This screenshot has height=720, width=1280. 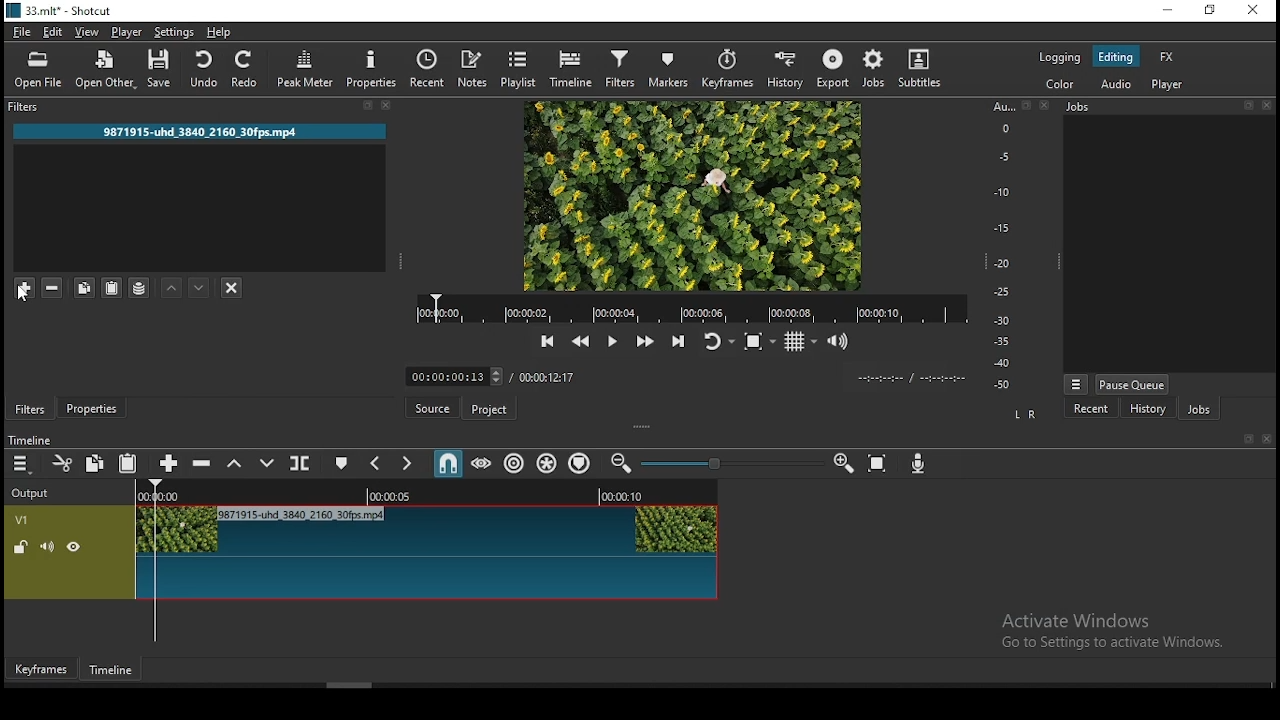 I want to click on peak meter, so click(x=307, y=68).